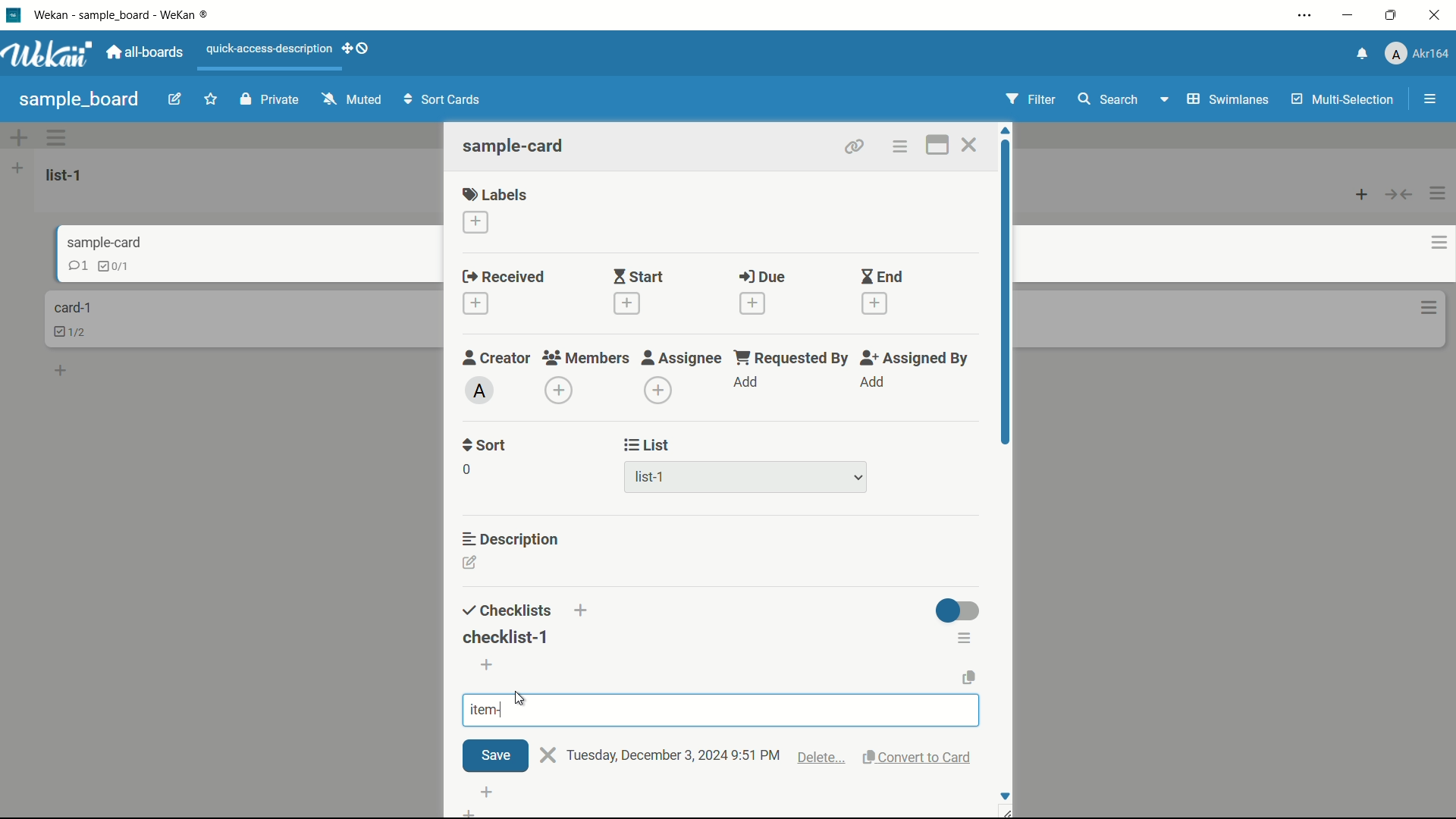  What do you see at coordinates (49, 53) in the screenshot?
I see `app logo` at bounding box center [49, 53].